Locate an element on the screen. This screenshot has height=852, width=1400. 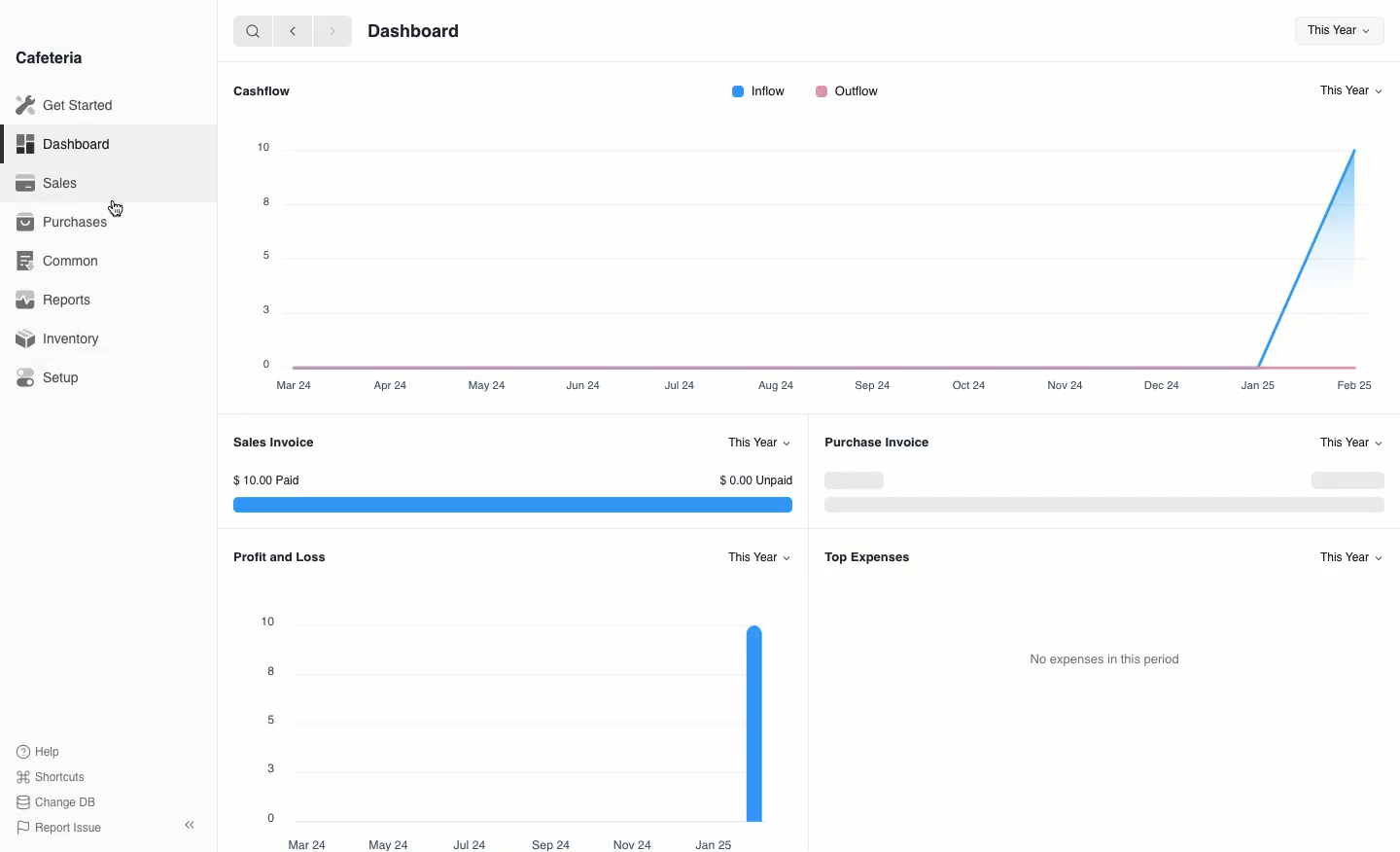
8 is located at coordinates (270, 669).